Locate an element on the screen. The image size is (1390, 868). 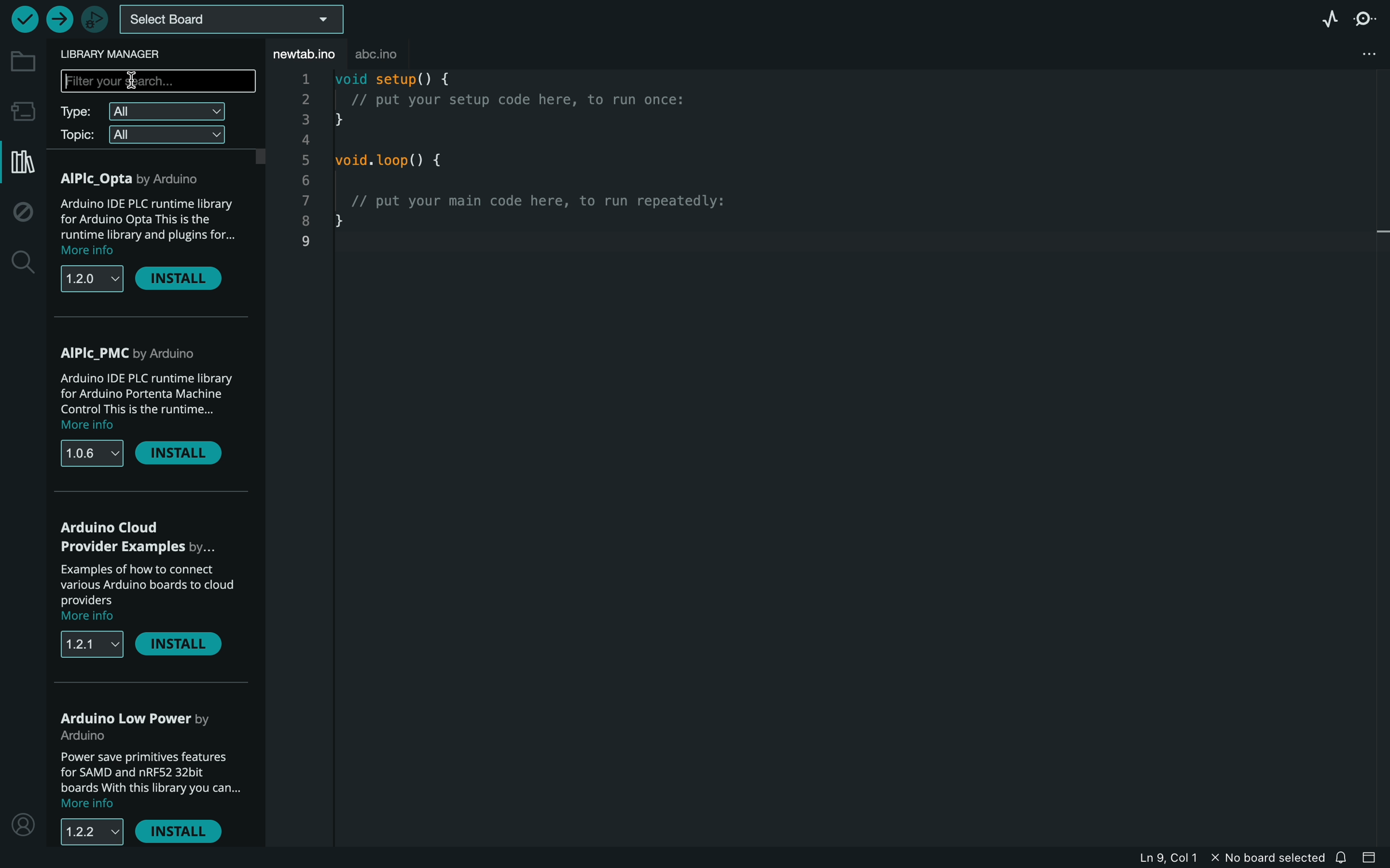
notification is located at coordinates (1342, 858).